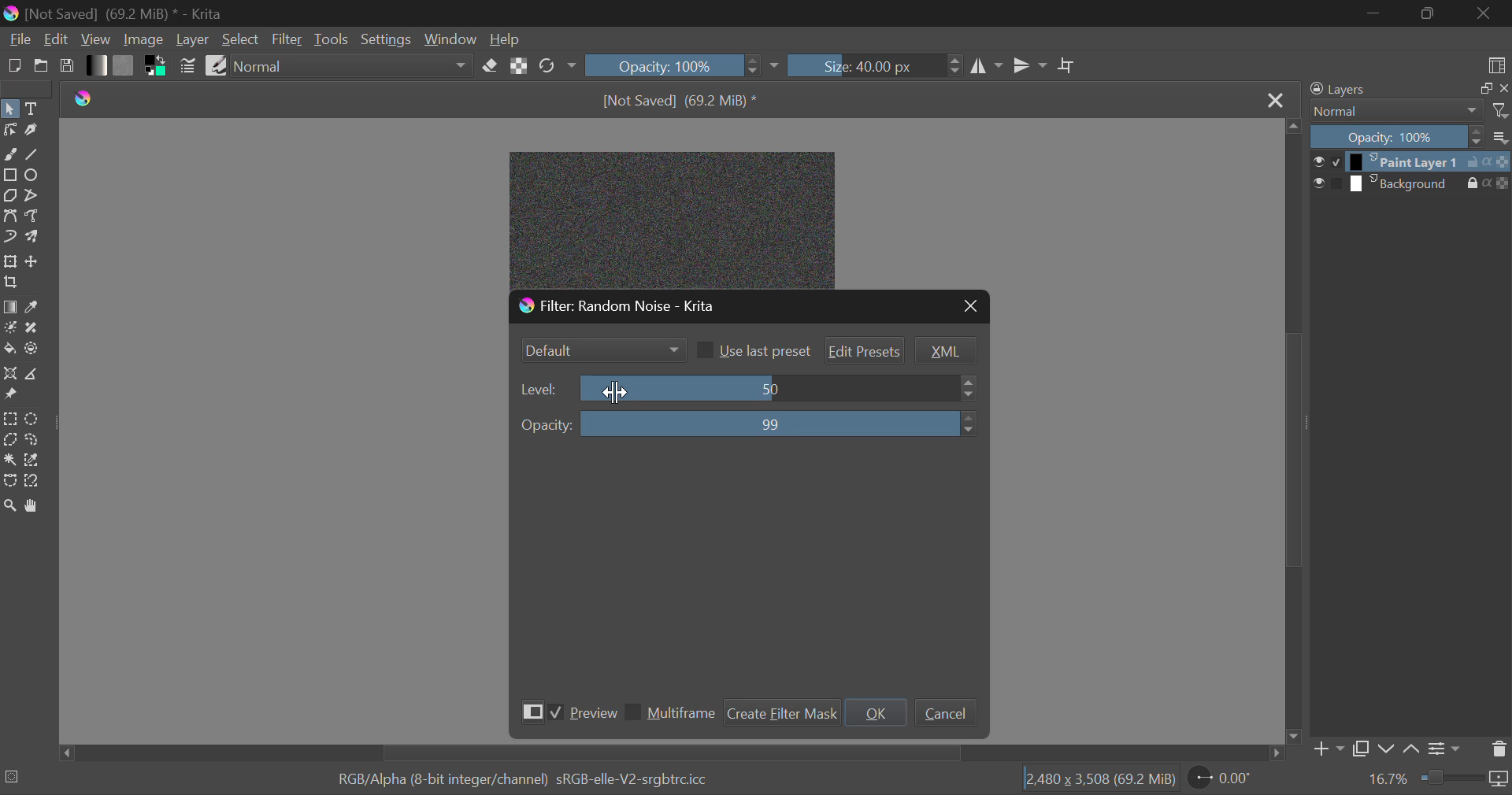  I want to click on Settings, so click(387, 38).